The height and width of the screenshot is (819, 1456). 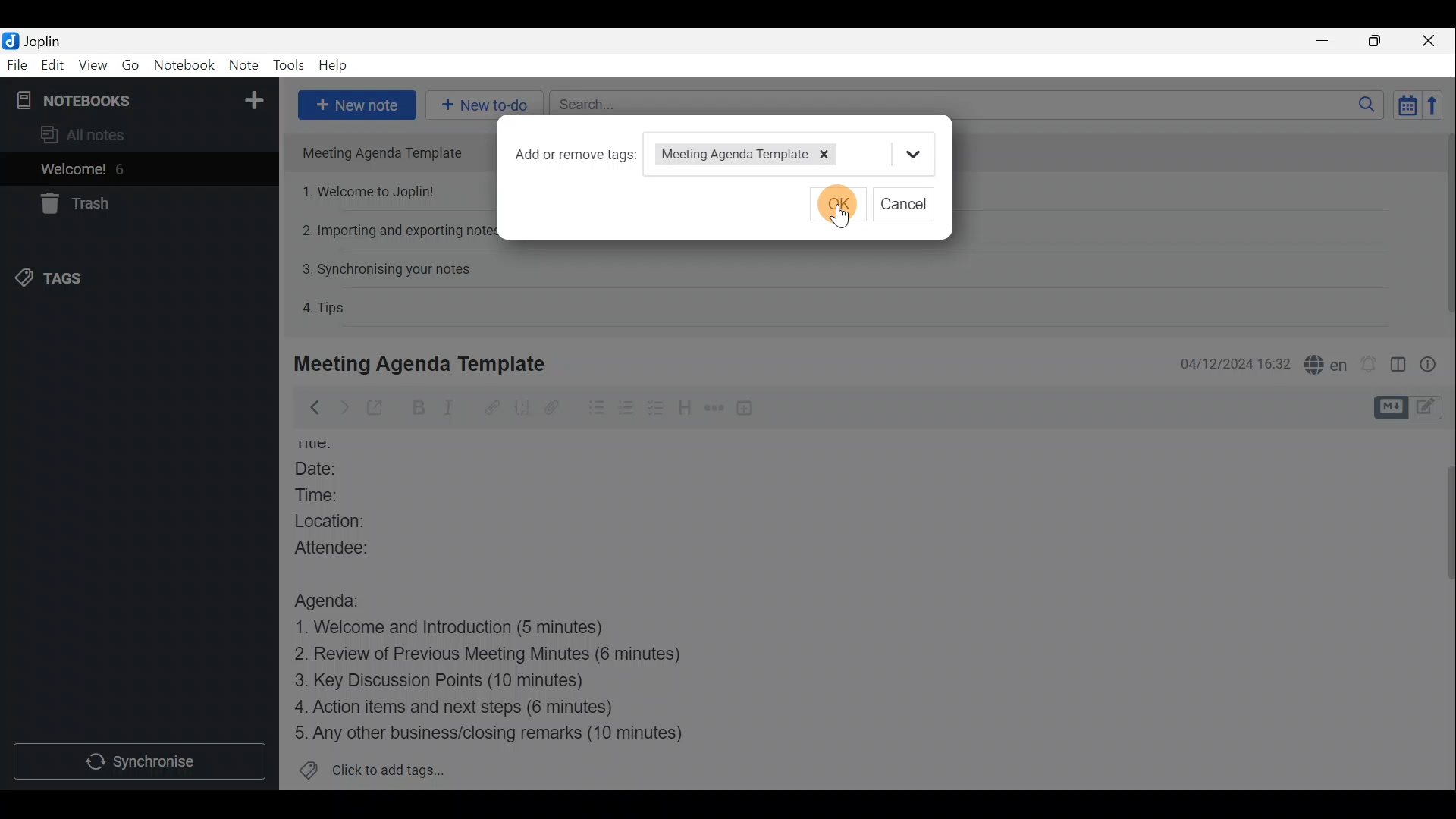 What do you see at coordinates (833, 202) in the screenshot?
I see `ok` at bounding box center [833, 202].